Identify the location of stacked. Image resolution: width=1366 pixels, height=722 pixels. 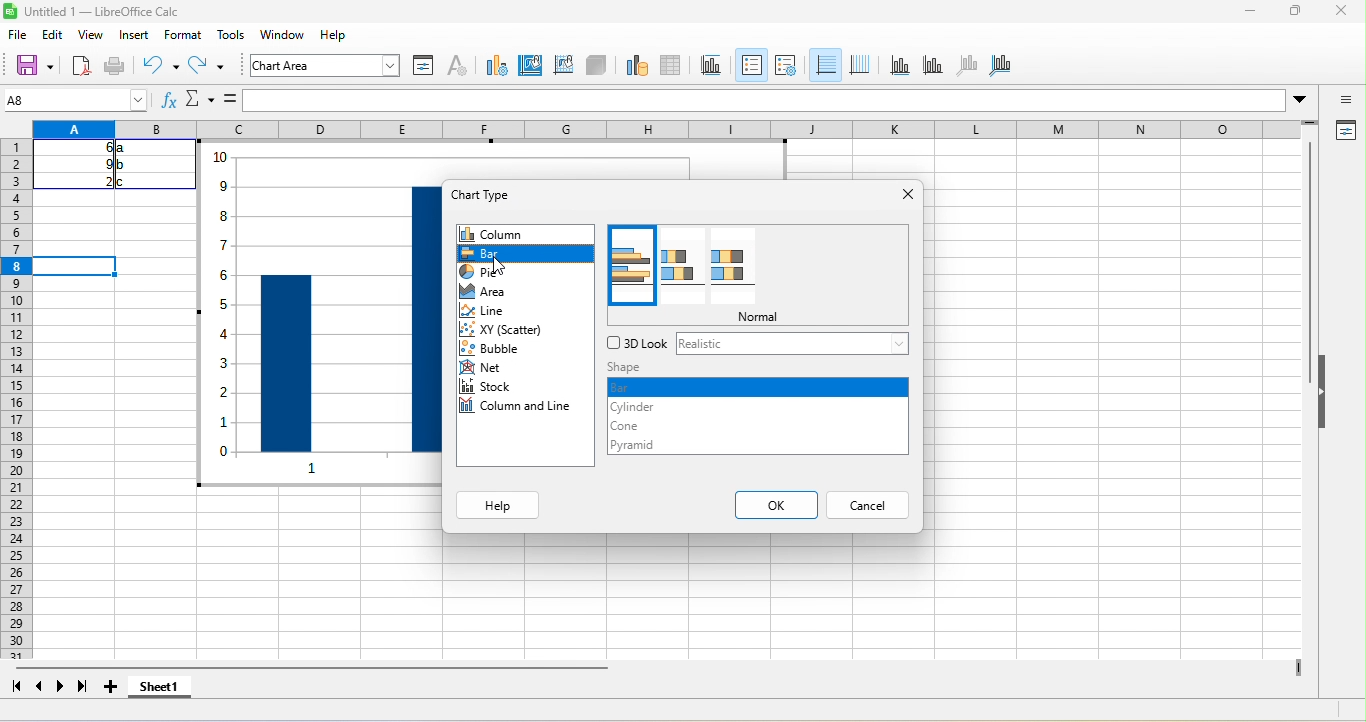
(681, 269).